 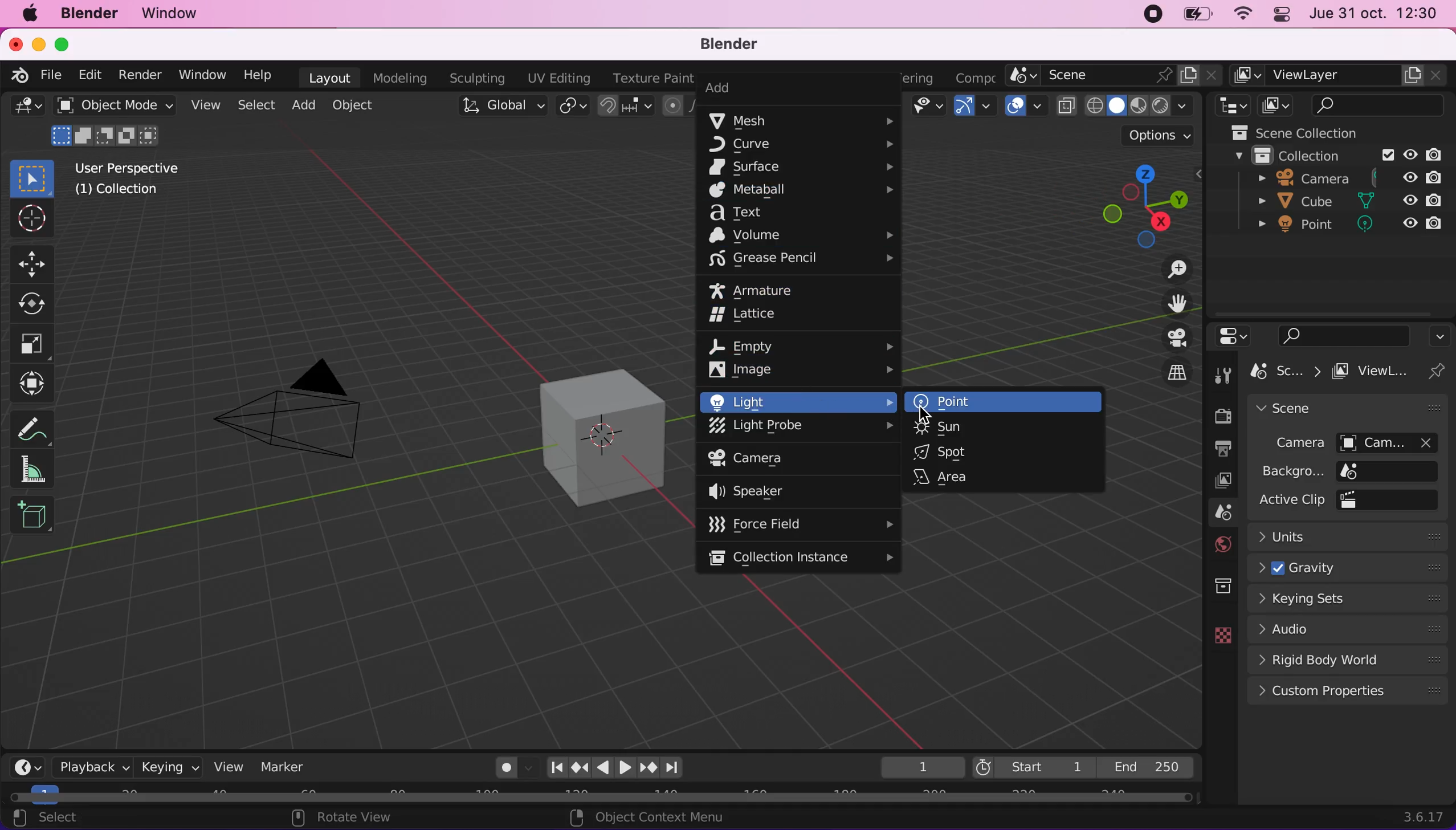 What do you see at coordinates (26, 109) in the screenshot?
I see `editor type` at bounding box center [26, 109].